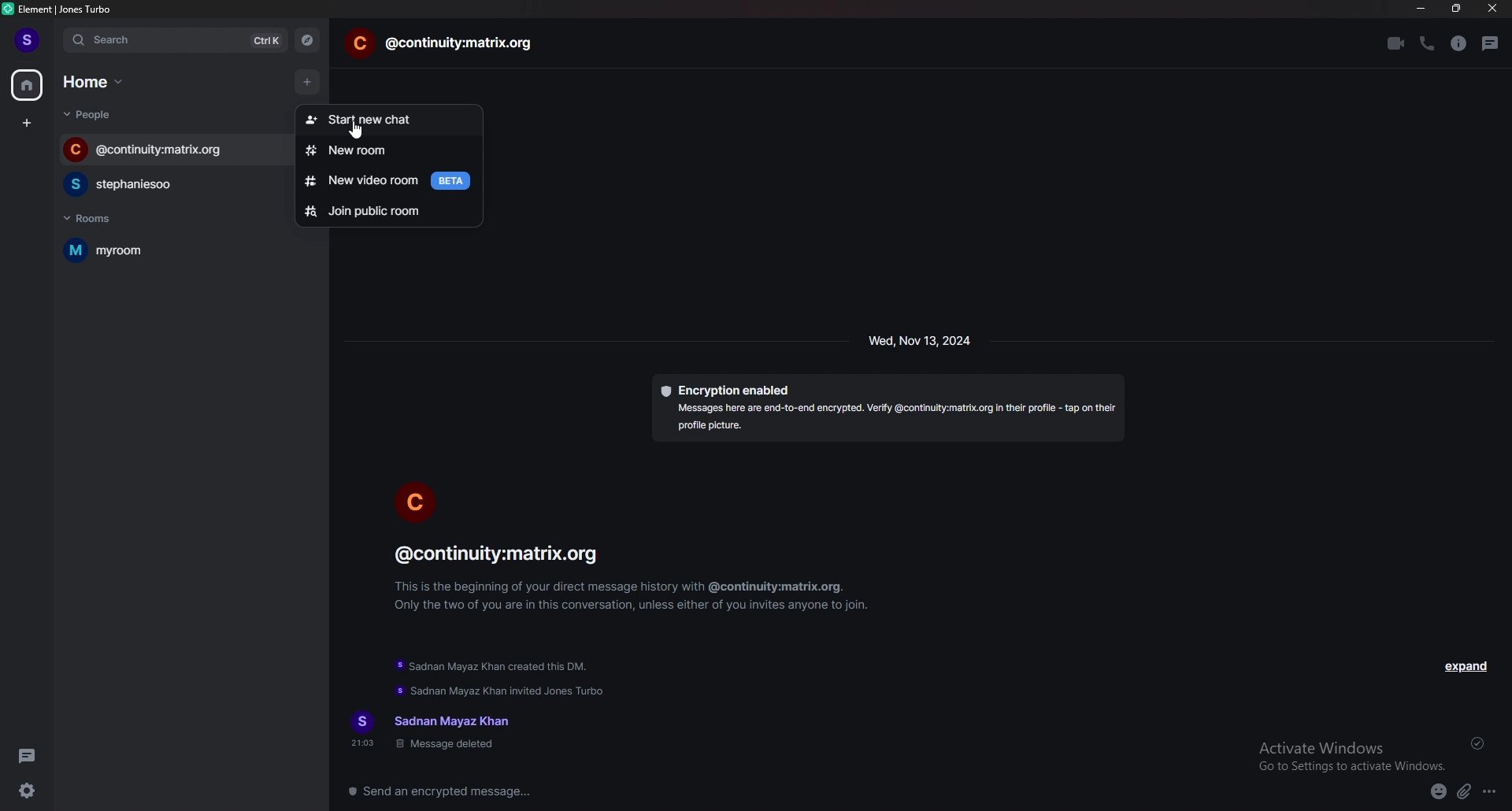  What do you see at coordinates (308, 40) in the screenshot?
I see `explore rooms` at bounding box center [308, 40].